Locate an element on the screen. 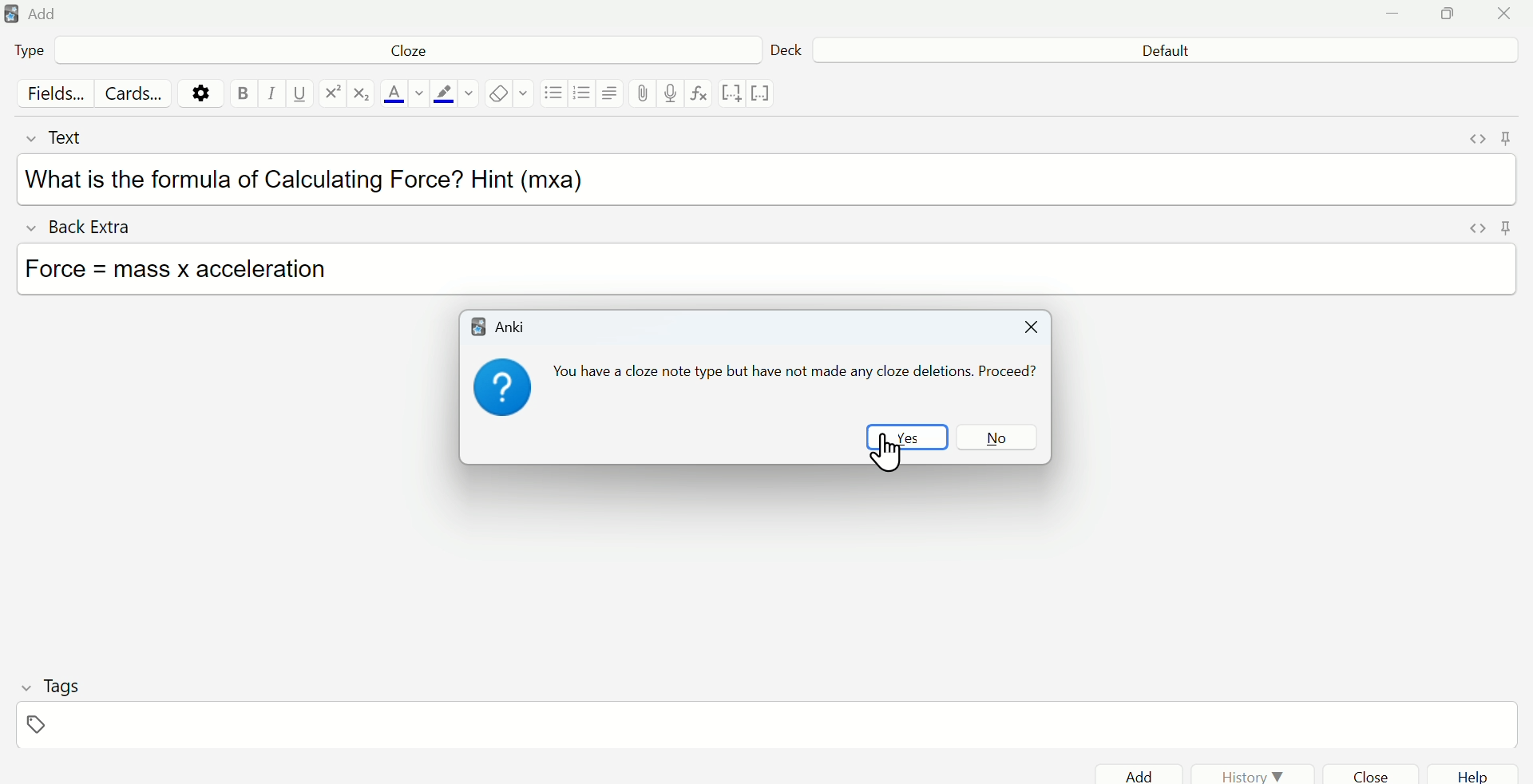 This screenshot has height=784, width=1533. Pin is located at coordinates (1504, 229).